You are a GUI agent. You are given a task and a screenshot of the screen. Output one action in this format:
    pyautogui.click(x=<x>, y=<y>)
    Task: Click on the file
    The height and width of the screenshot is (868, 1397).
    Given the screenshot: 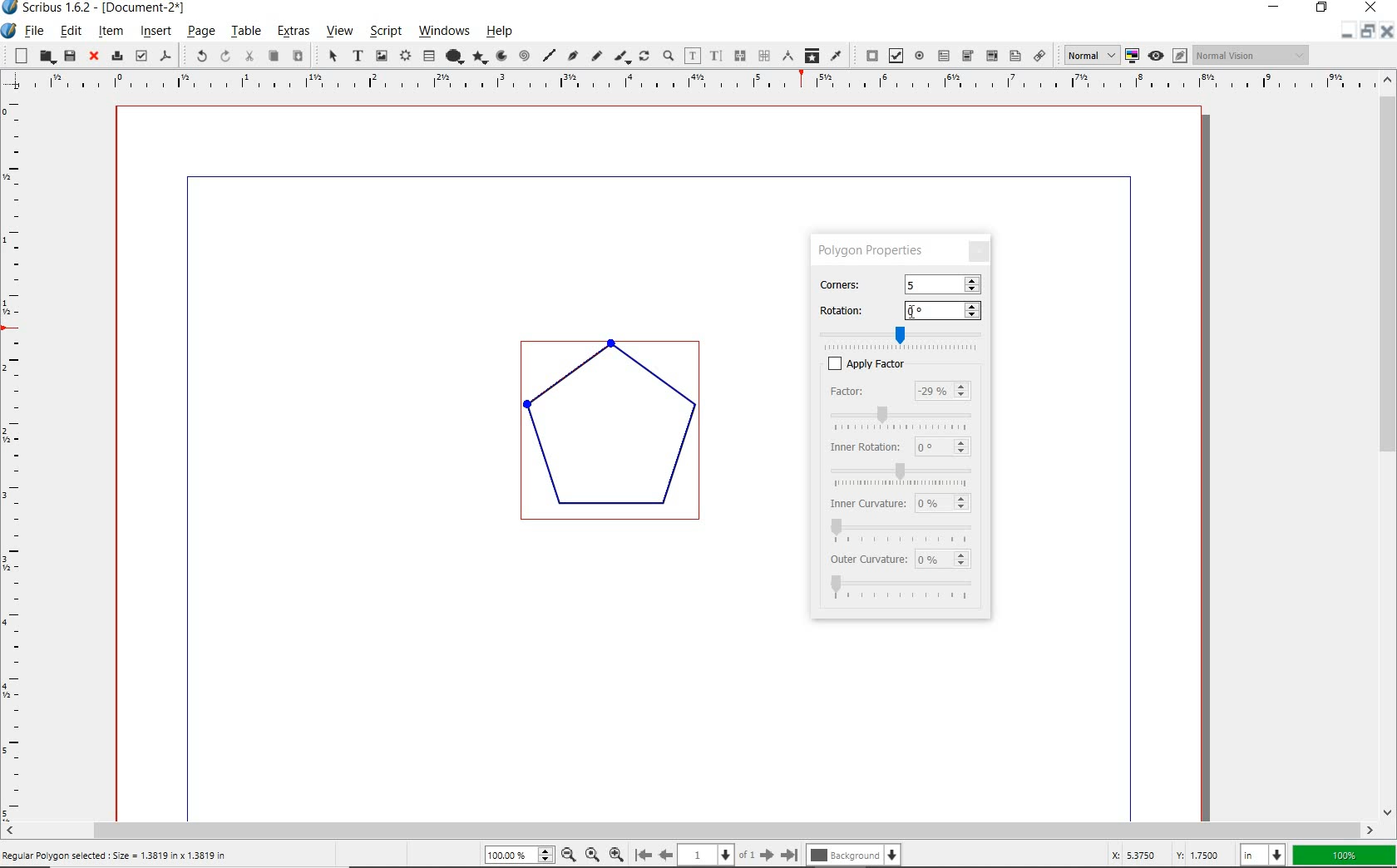 What is the action you would take?
    pyautogui.click(x=35, y=31)
    